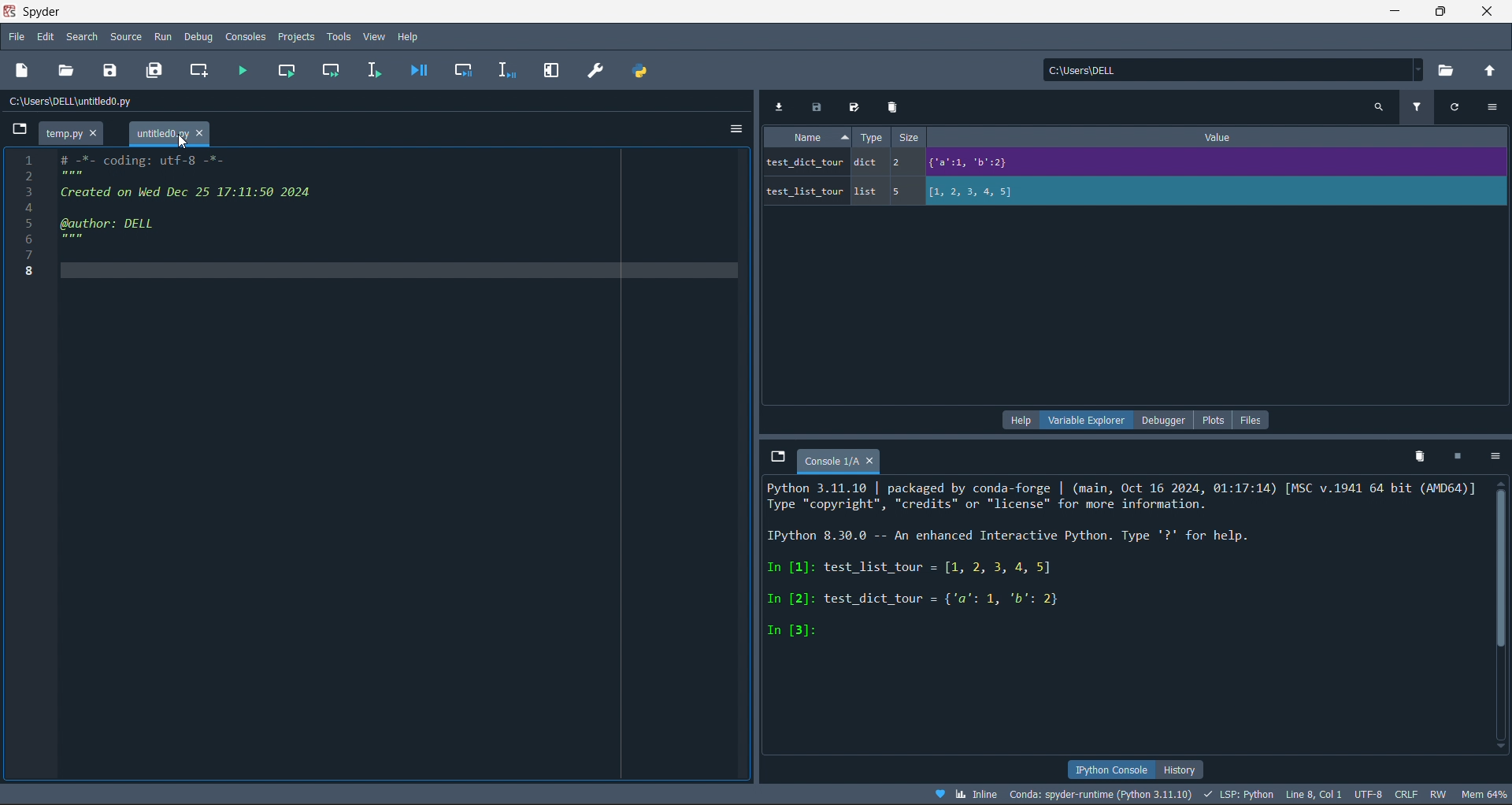 This screenshot has width=1512, height=805. I want to click on projects, so click(296, 36).